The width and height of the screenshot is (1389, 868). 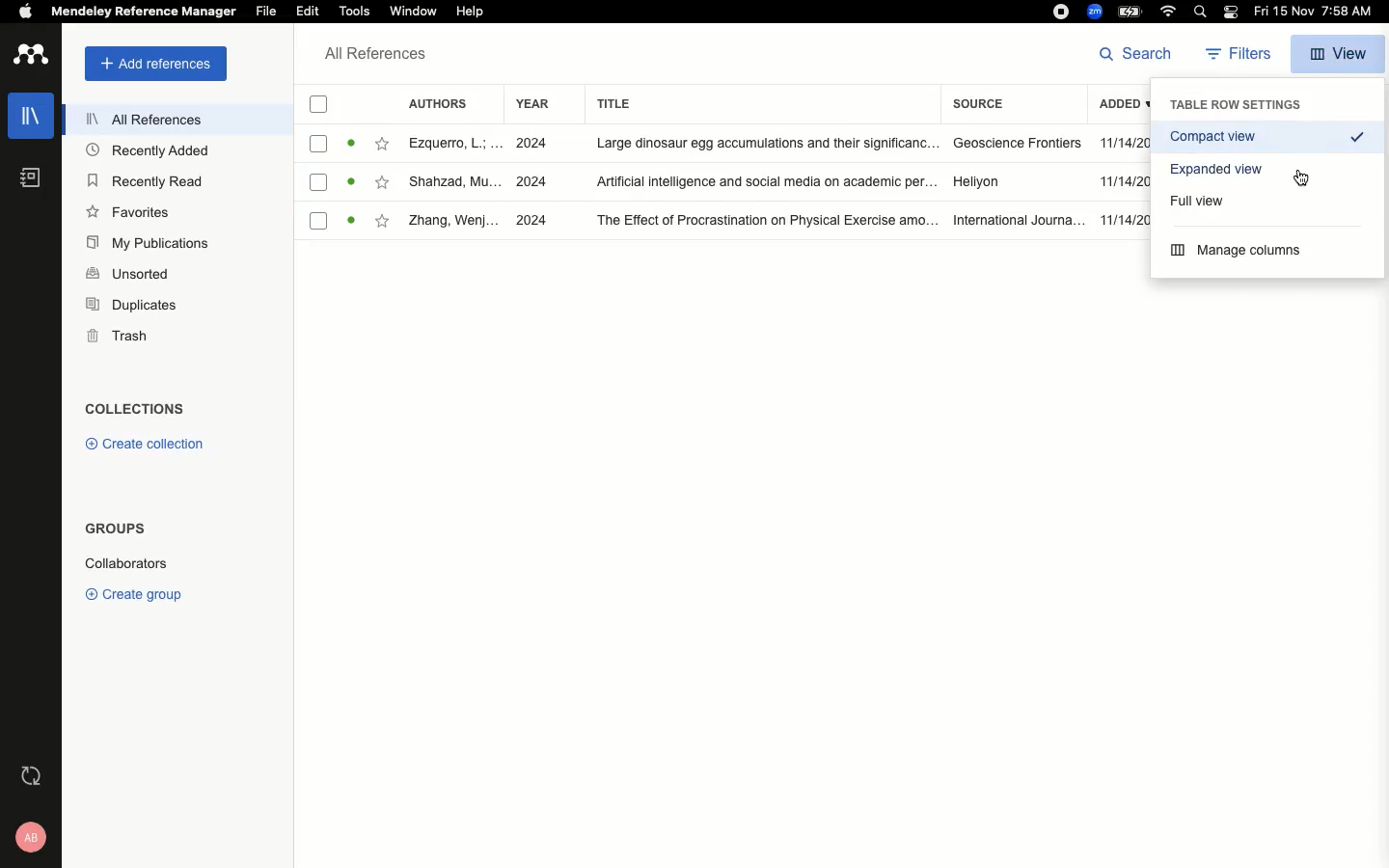 I want to click on Apple logo, so click(x=18, y=11).